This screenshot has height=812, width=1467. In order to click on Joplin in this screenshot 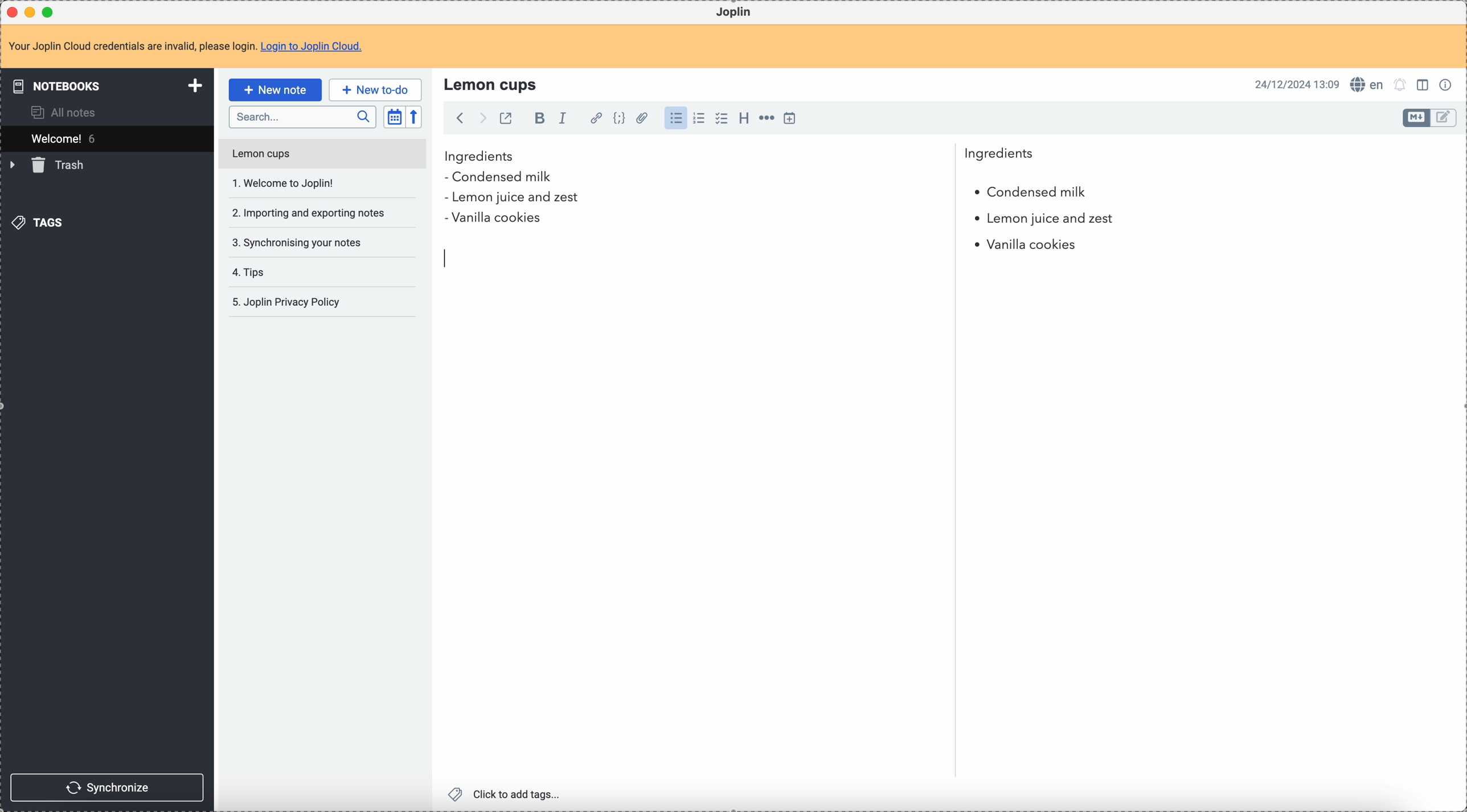, I will do `click(733, 13)`.